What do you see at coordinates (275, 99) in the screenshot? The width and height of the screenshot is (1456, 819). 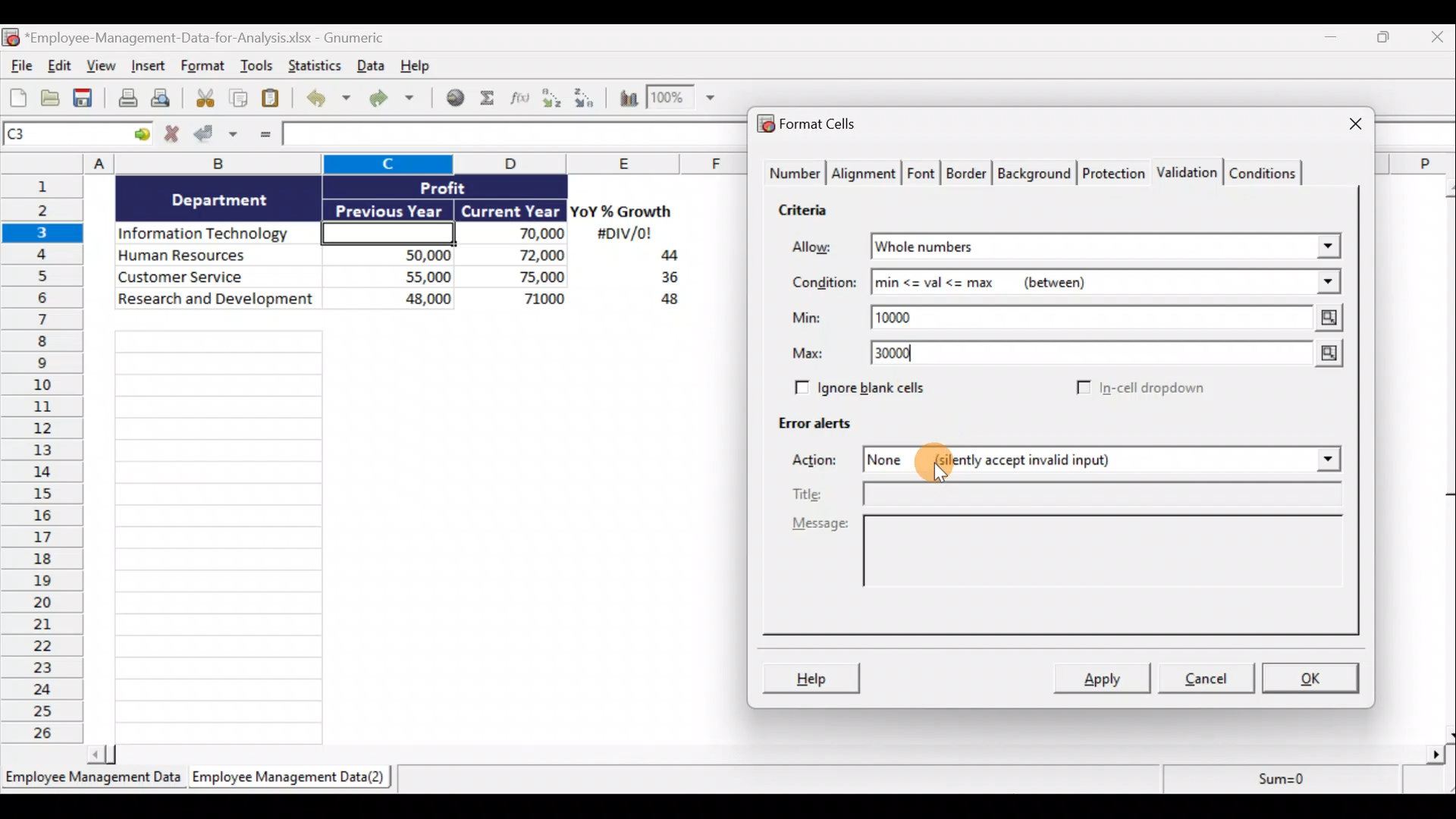 I see `Paste clipboard` at bounding box center [275, 99].